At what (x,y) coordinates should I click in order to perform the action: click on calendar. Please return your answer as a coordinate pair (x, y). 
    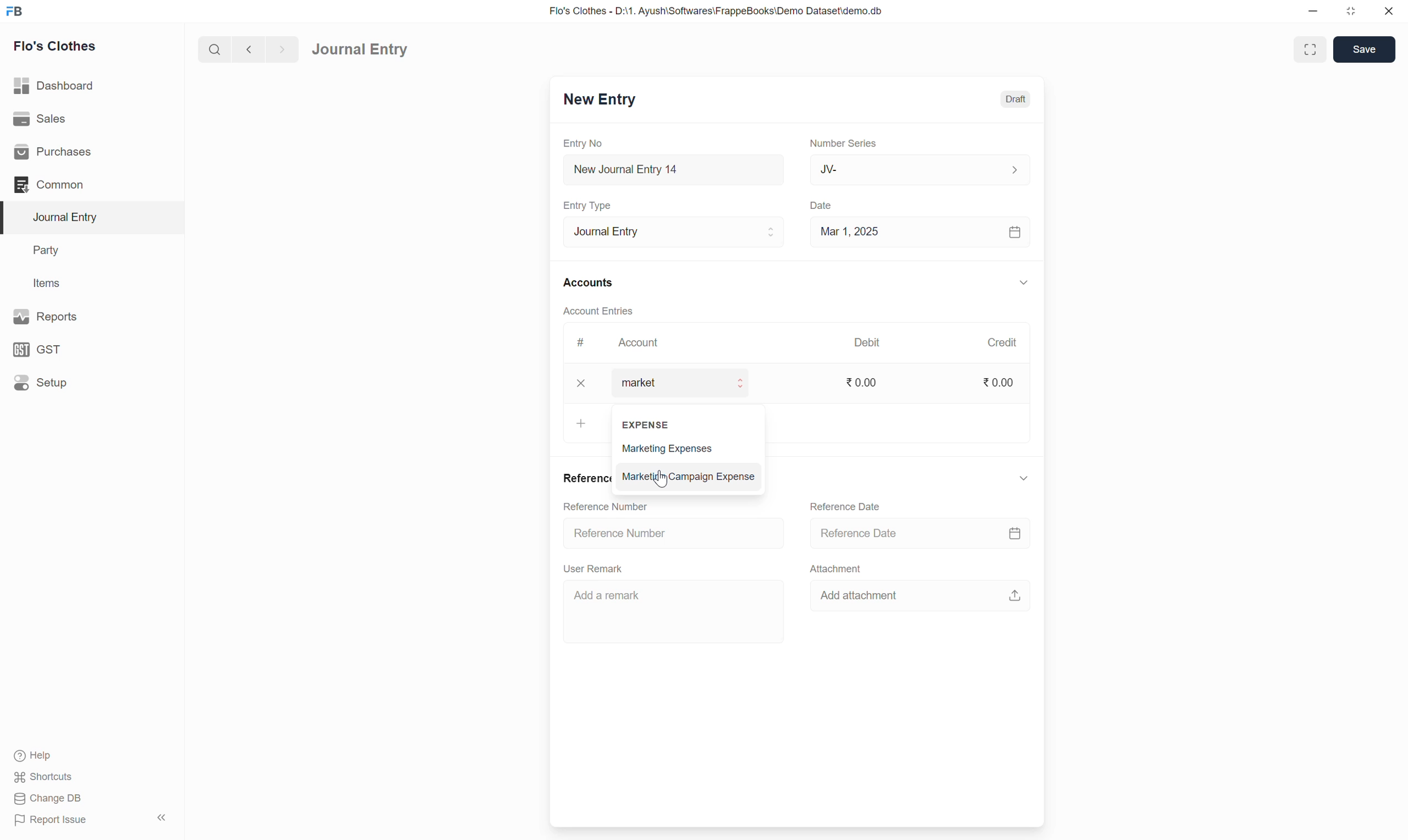
    Looking at the image, I should click on (1015, 533).